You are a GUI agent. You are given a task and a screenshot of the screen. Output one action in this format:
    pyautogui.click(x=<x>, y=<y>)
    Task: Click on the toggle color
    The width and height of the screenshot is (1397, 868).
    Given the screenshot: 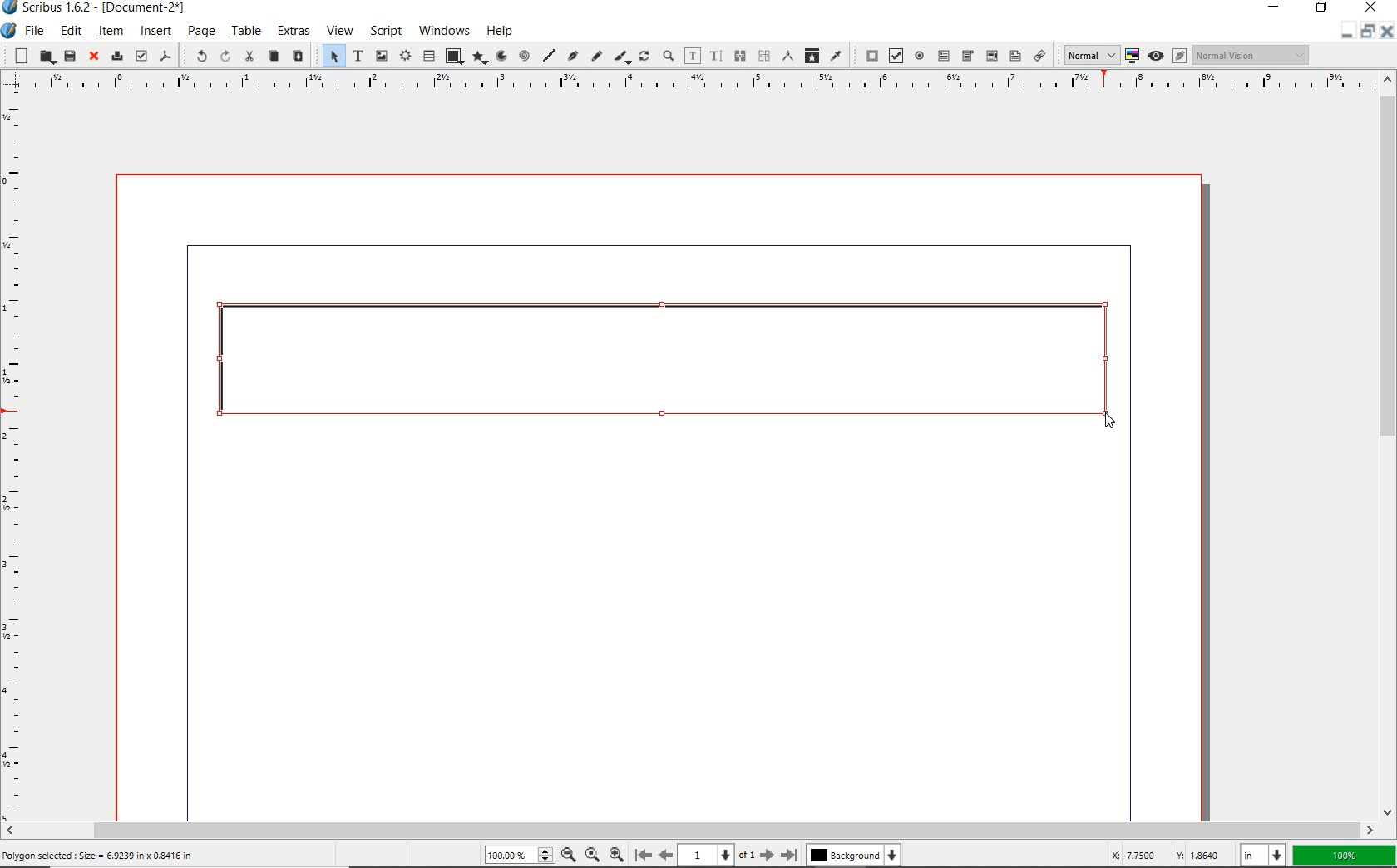 What is the action you would take?
    pyautogui.click(x=1130, y=57)
    